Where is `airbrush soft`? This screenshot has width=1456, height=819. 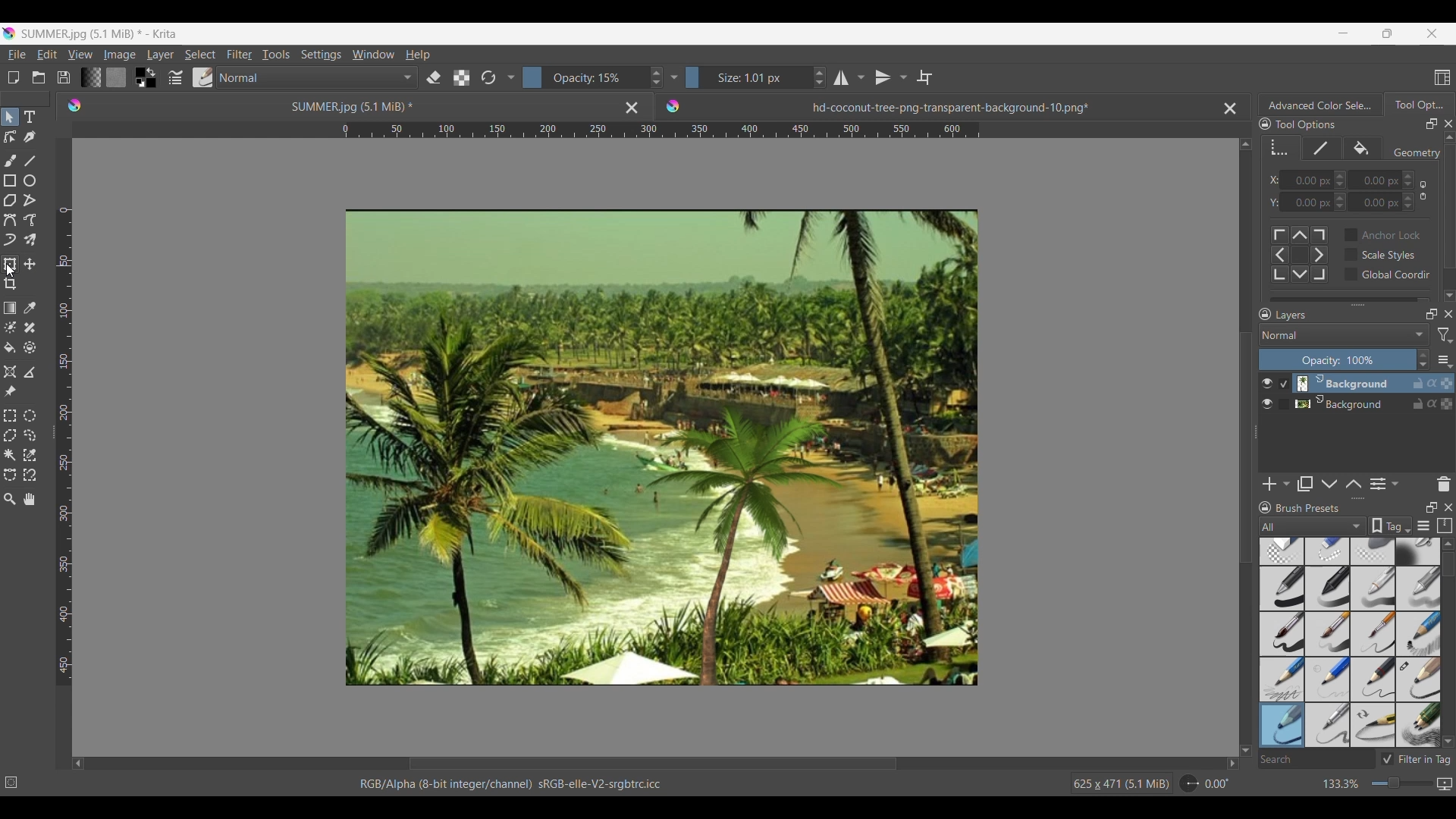 airbrush soft is located at coordinates (1418, 551).